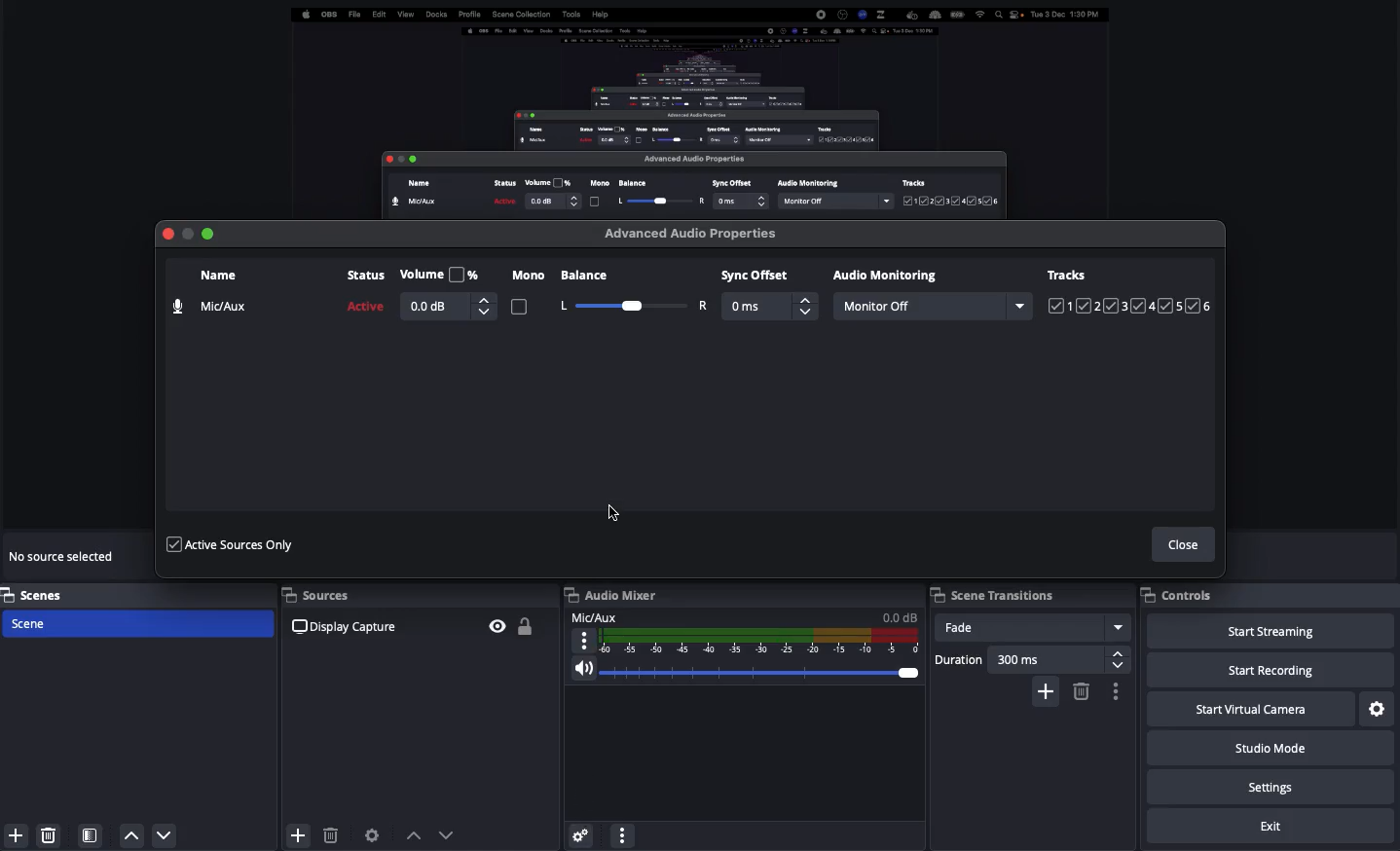 Image resolution: width=1400 pixels, height=851 pixels. What do you see at coordinates (624, 837) in the screenshot?
I see `options` at bounding box center [624, 837].